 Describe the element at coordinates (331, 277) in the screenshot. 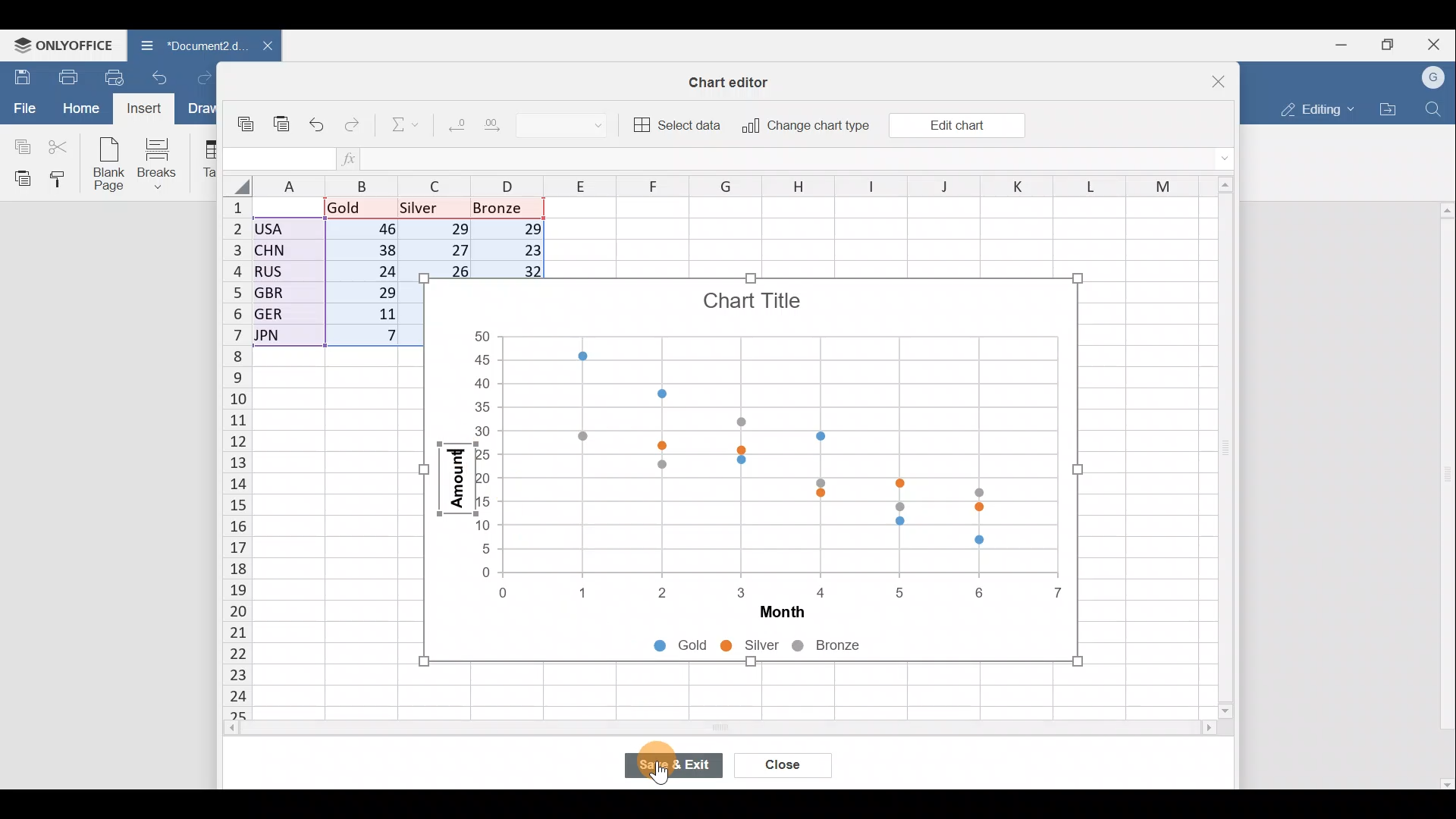

I see `Data` at that location.